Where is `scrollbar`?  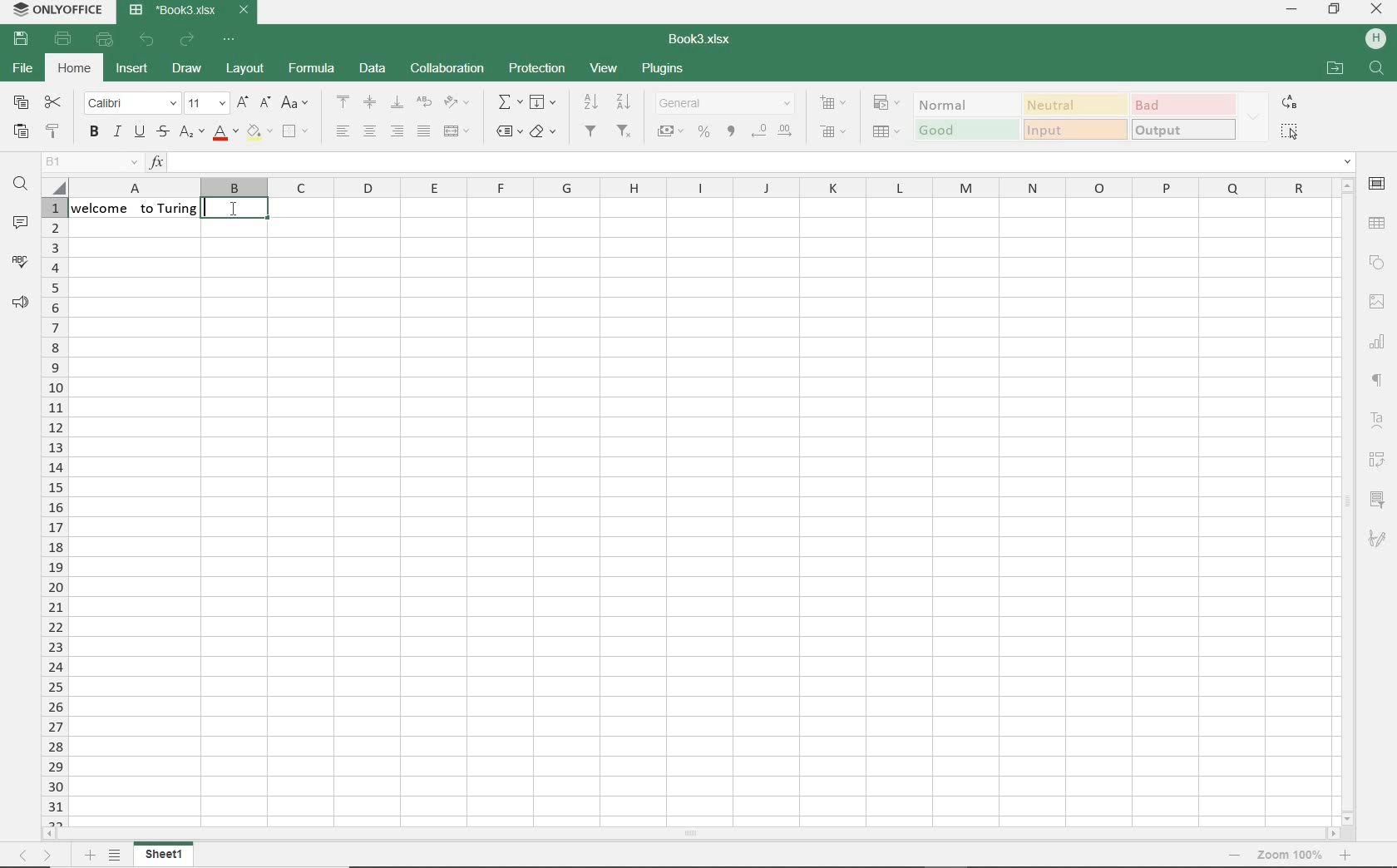
scrollbar is located at coordinates (1346, 501).